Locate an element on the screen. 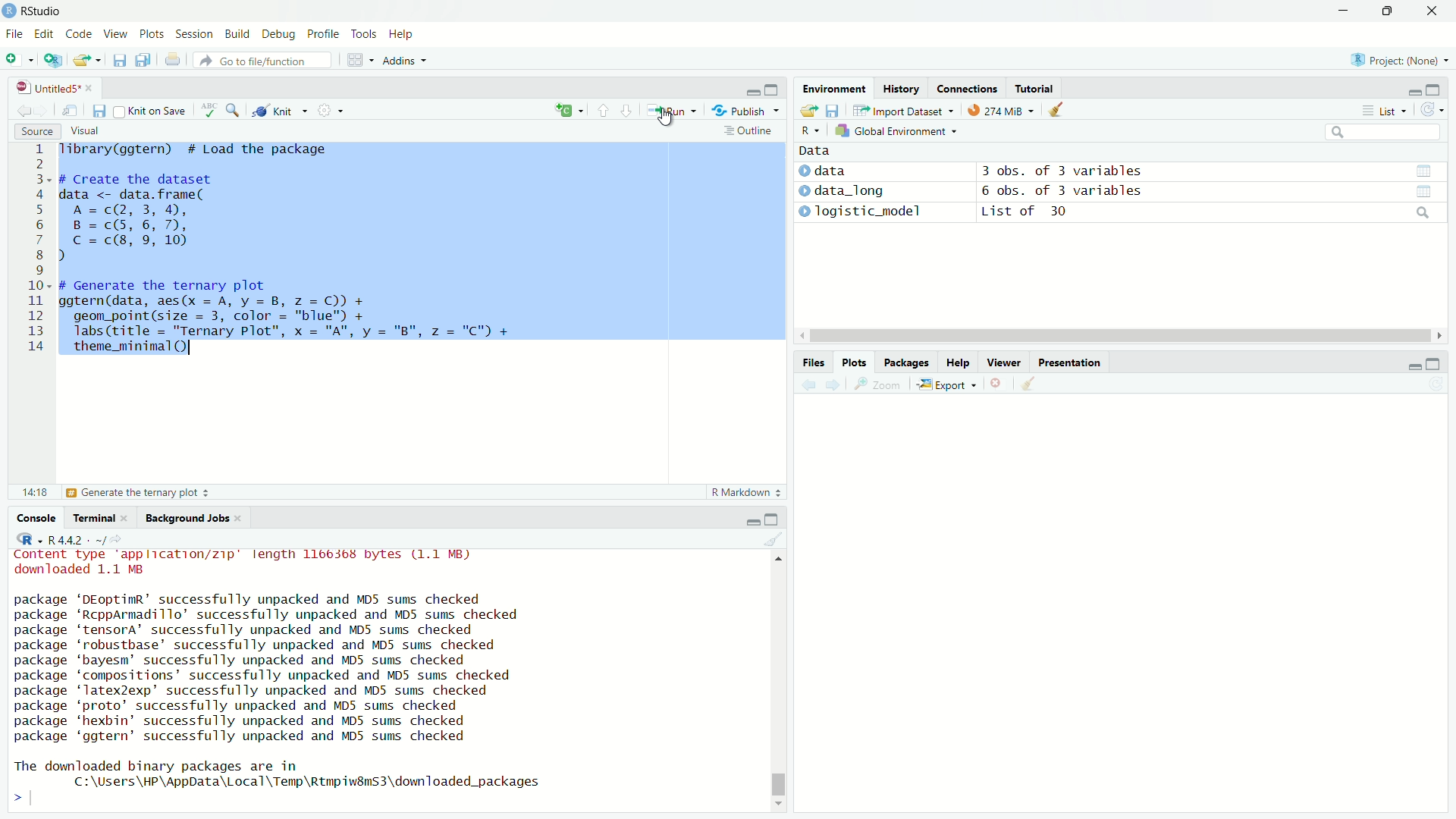 This screenshot has width=1456, height=819. Knit is located at coordinates (281, 111).